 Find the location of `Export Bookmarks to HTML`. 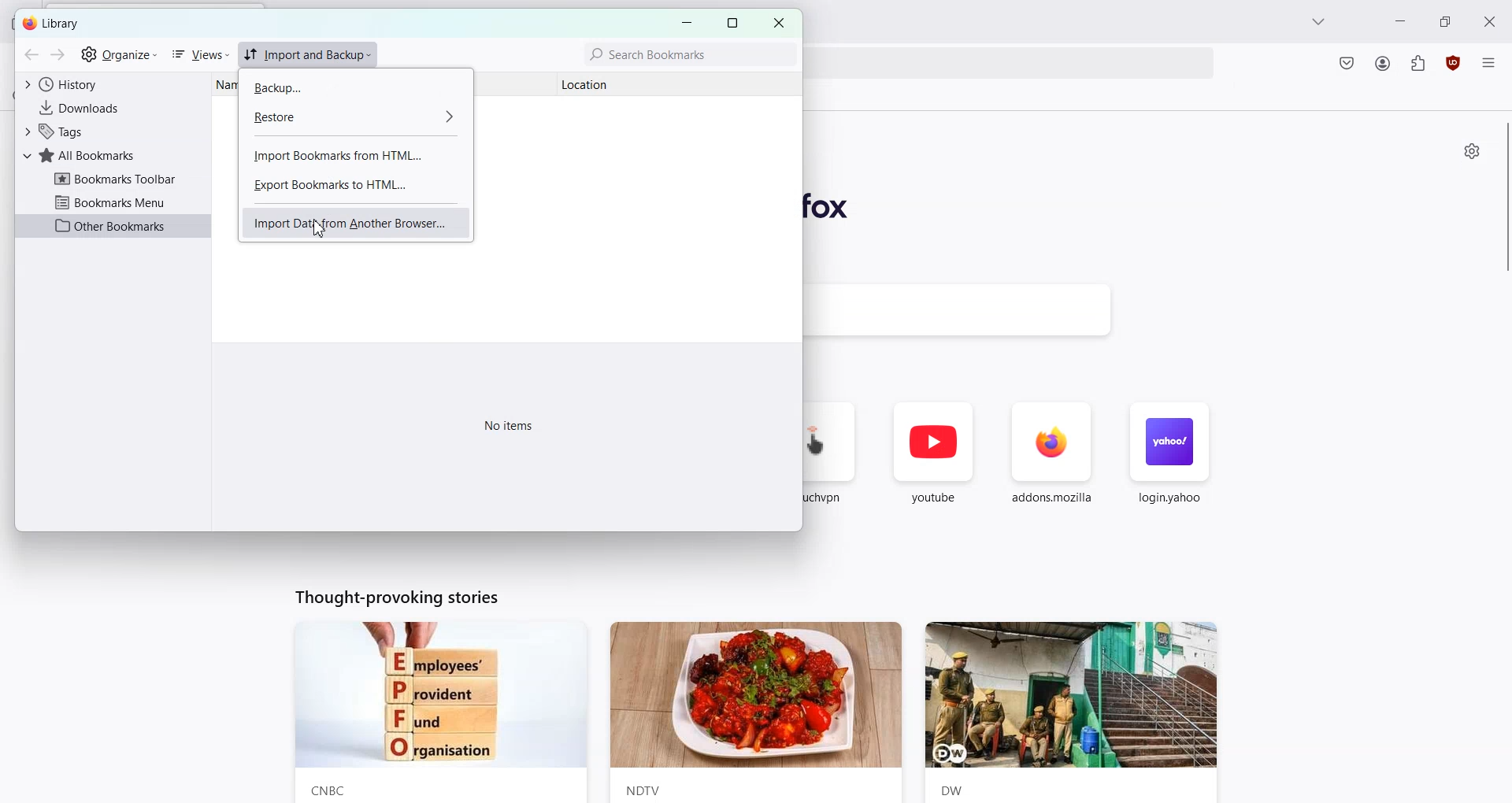

Export Bookmarks to HTML is located at coordinates (354, 185).